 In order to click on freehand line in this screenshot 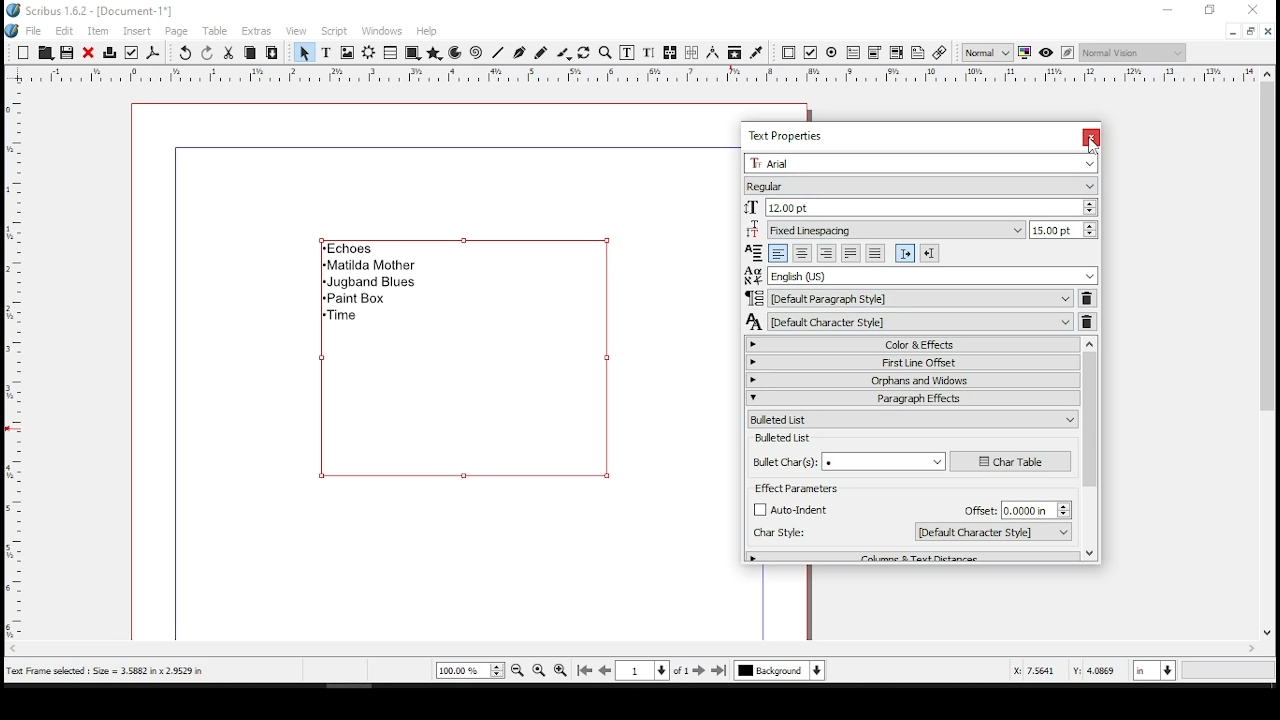, I will do `click(540, 52)`.